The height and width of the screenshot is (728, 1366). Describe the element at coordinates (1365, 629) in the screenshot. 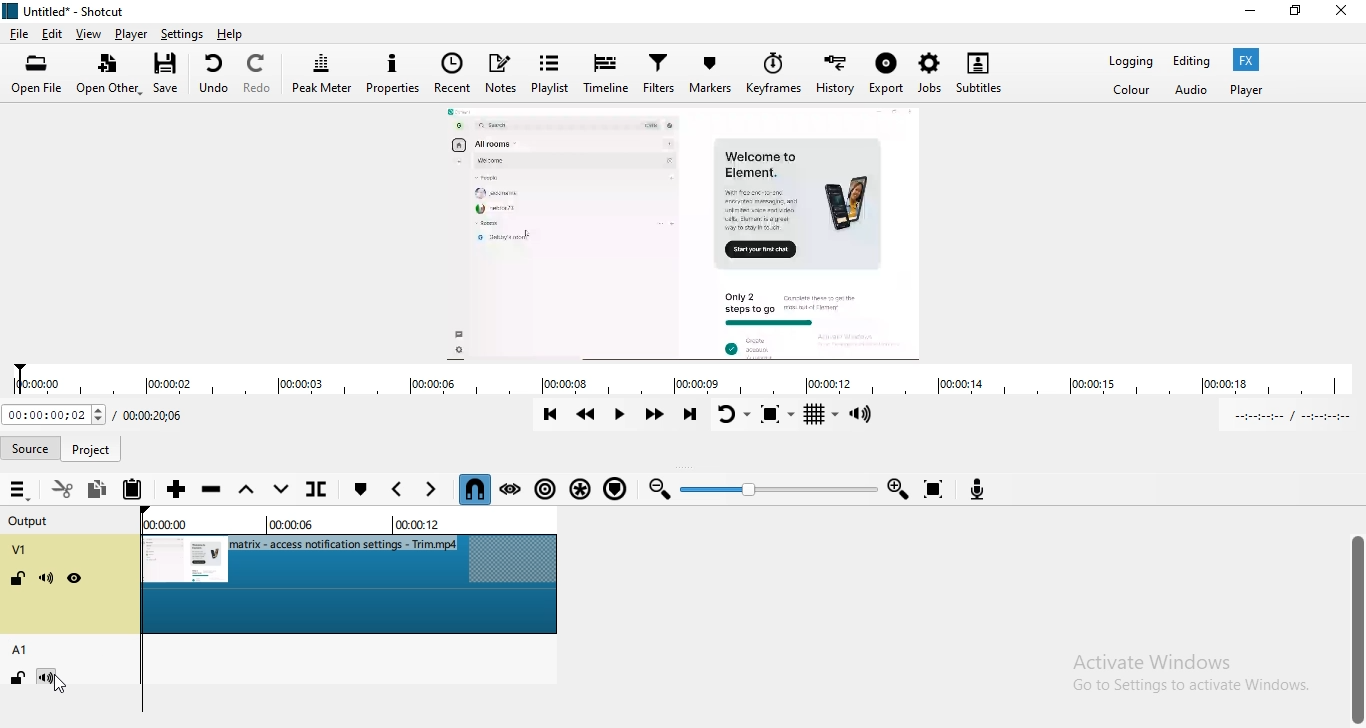

I see `scroll bar` at that location.